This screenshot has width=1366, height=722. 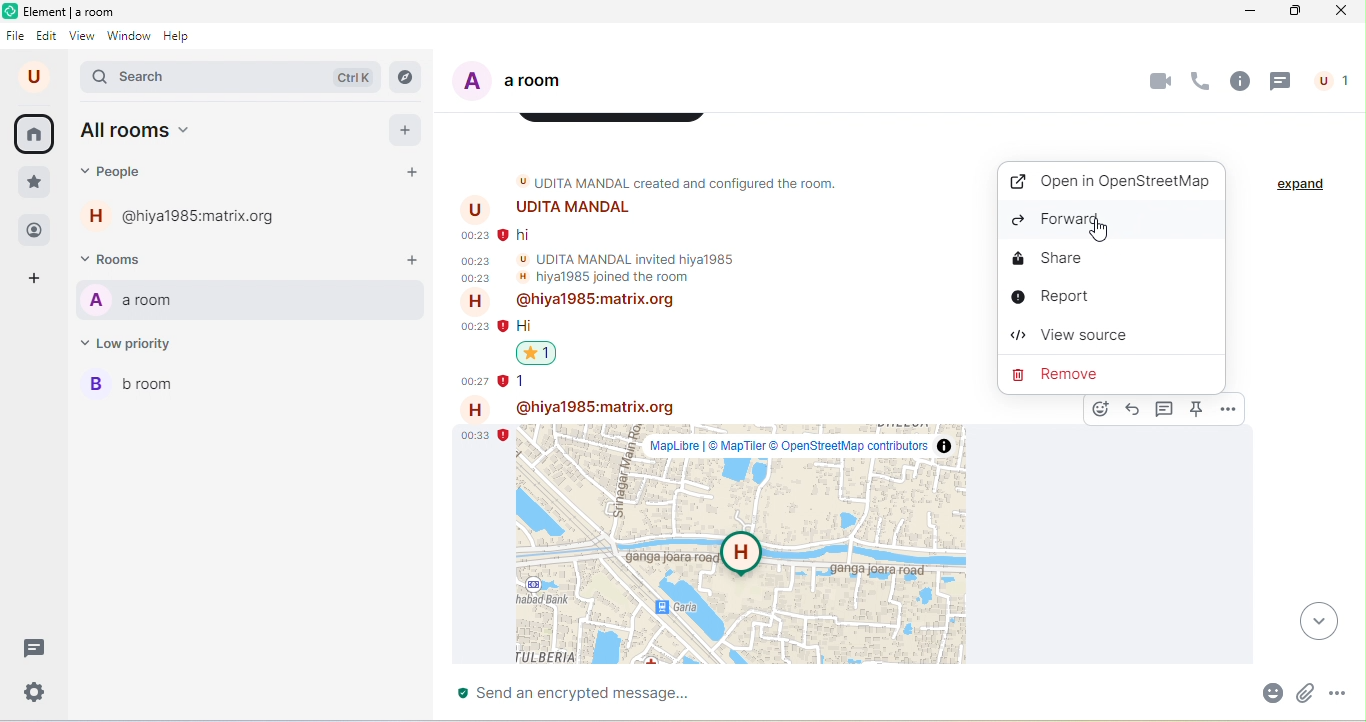 What do you see at coordinates (10, 11) in the screenshot?
I see `element logo` at bounding box center [10, 11].